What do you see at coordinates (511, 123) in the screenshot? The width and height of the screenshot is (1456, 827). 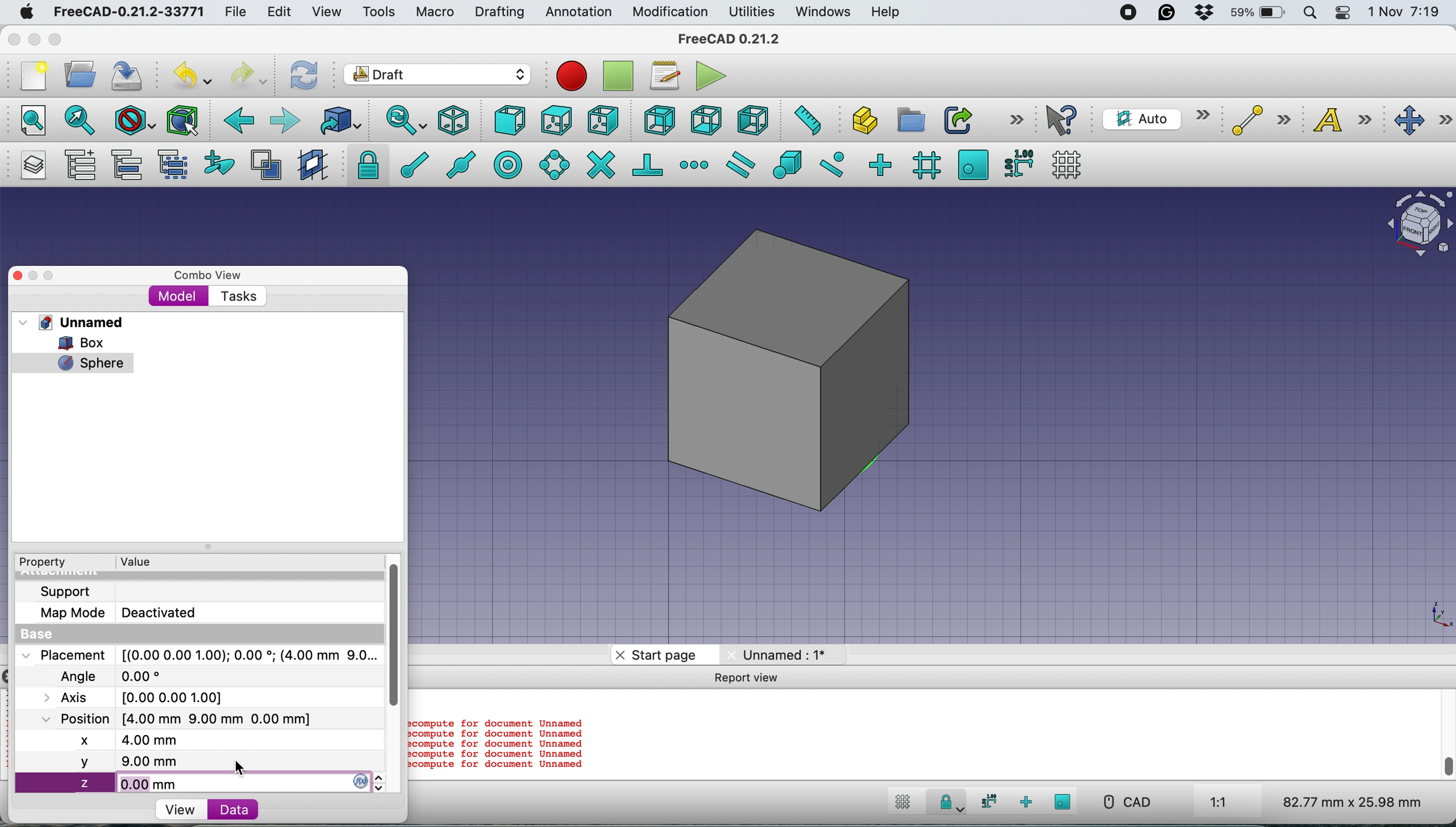 I see `front` at bounding box center [511, 123].